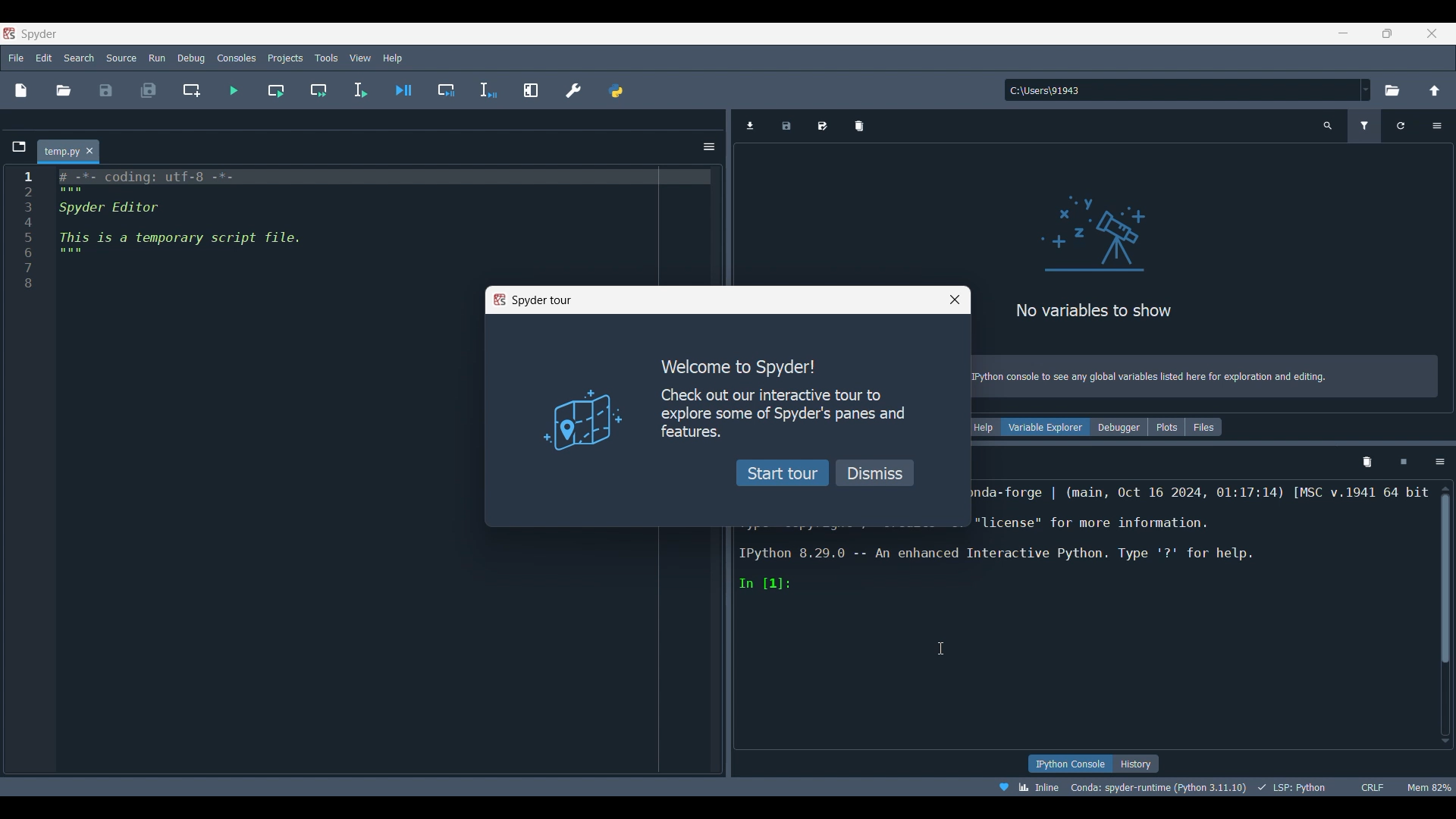 Image resolution: width=1456 pixels, height=819 pixels. Describe the element at coordinates (122, 121) in the screenshot. I see `Folder location` at that location.